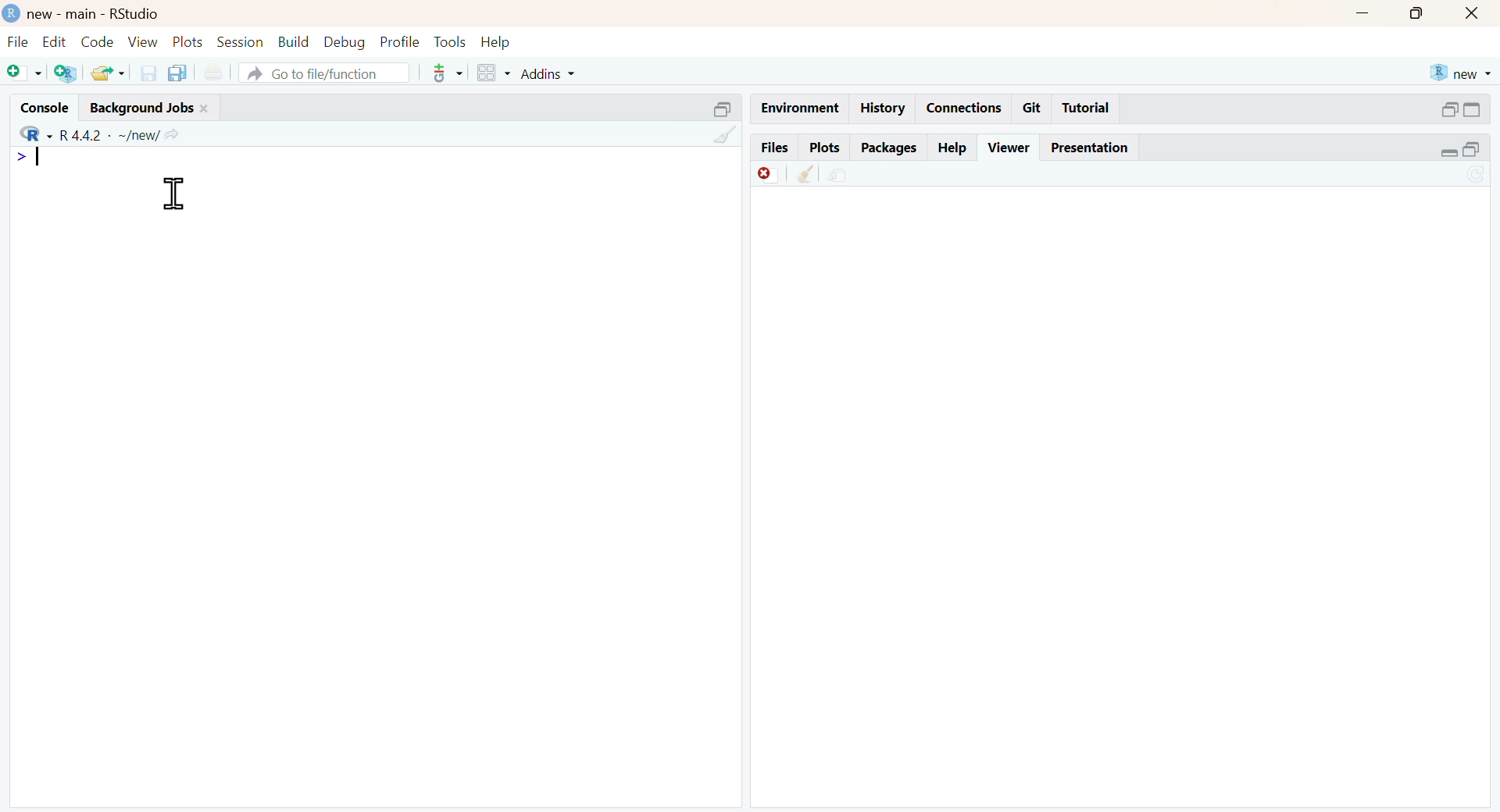  Describe the element at coordinates (1087, 109) in the screenshot. I see `tutorial` at that location.